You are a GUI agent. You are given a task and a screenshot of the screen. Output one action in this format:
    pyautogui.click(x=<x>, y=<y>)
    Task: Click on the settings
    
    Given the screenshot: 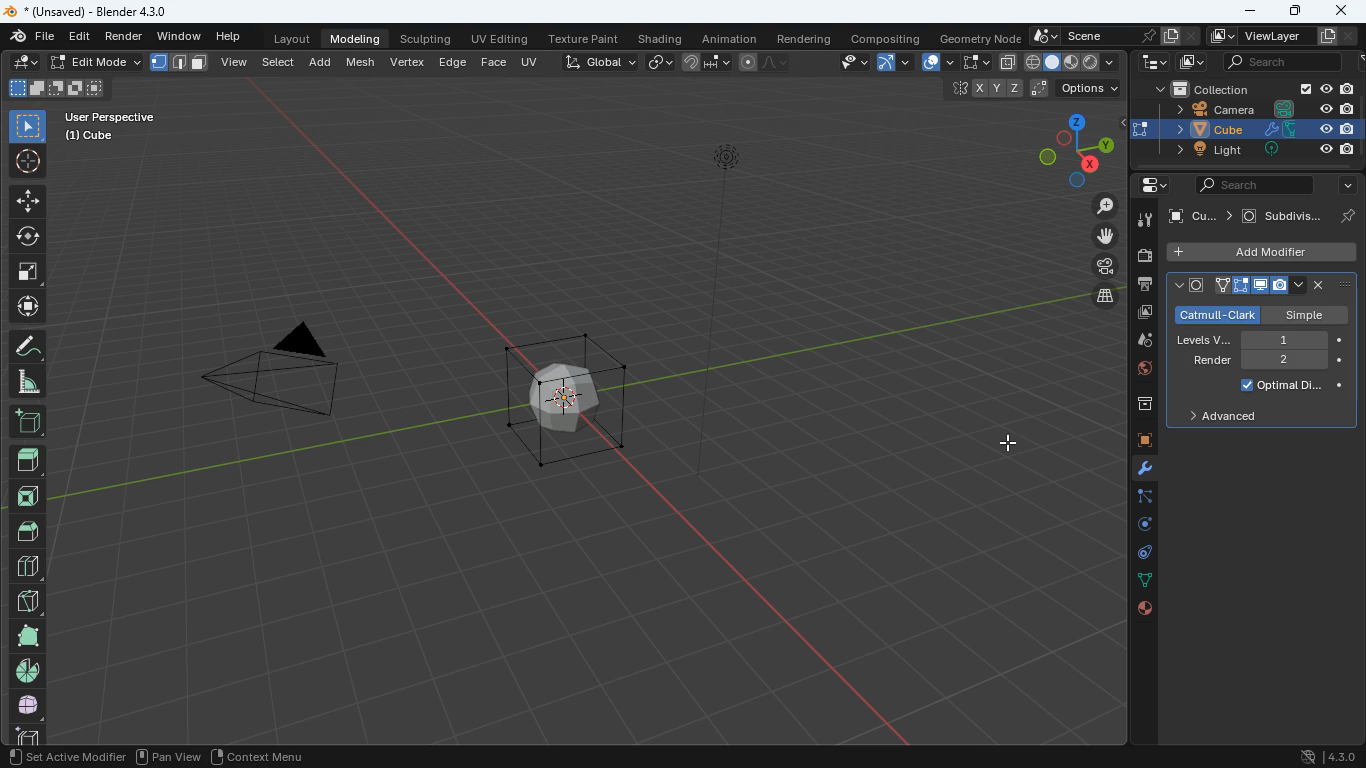 What is the action you would take?
    pyautogui.click(x=1147, y=184)
    